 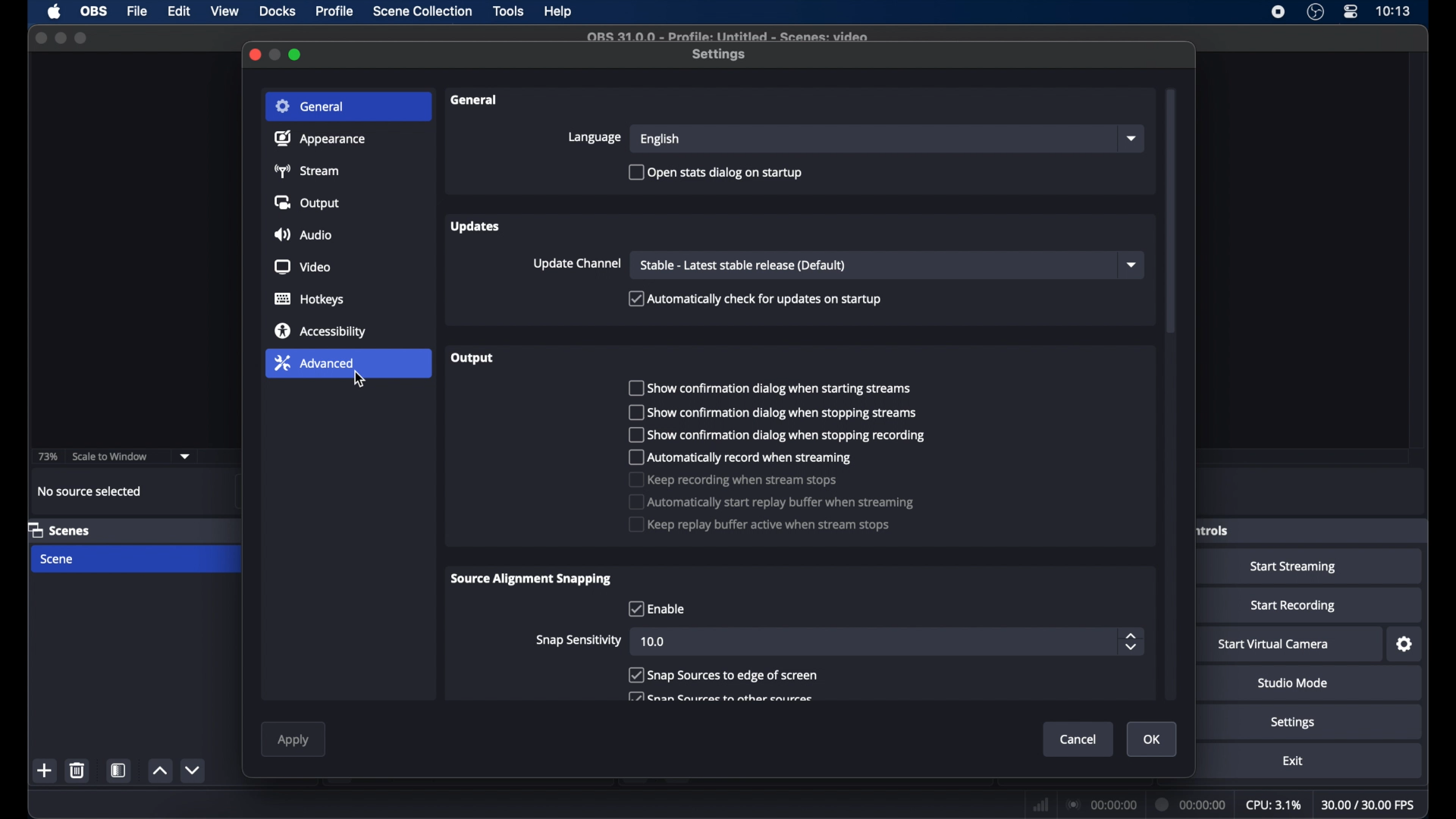 I want to click on apple icon, so click(x=55, y=12).